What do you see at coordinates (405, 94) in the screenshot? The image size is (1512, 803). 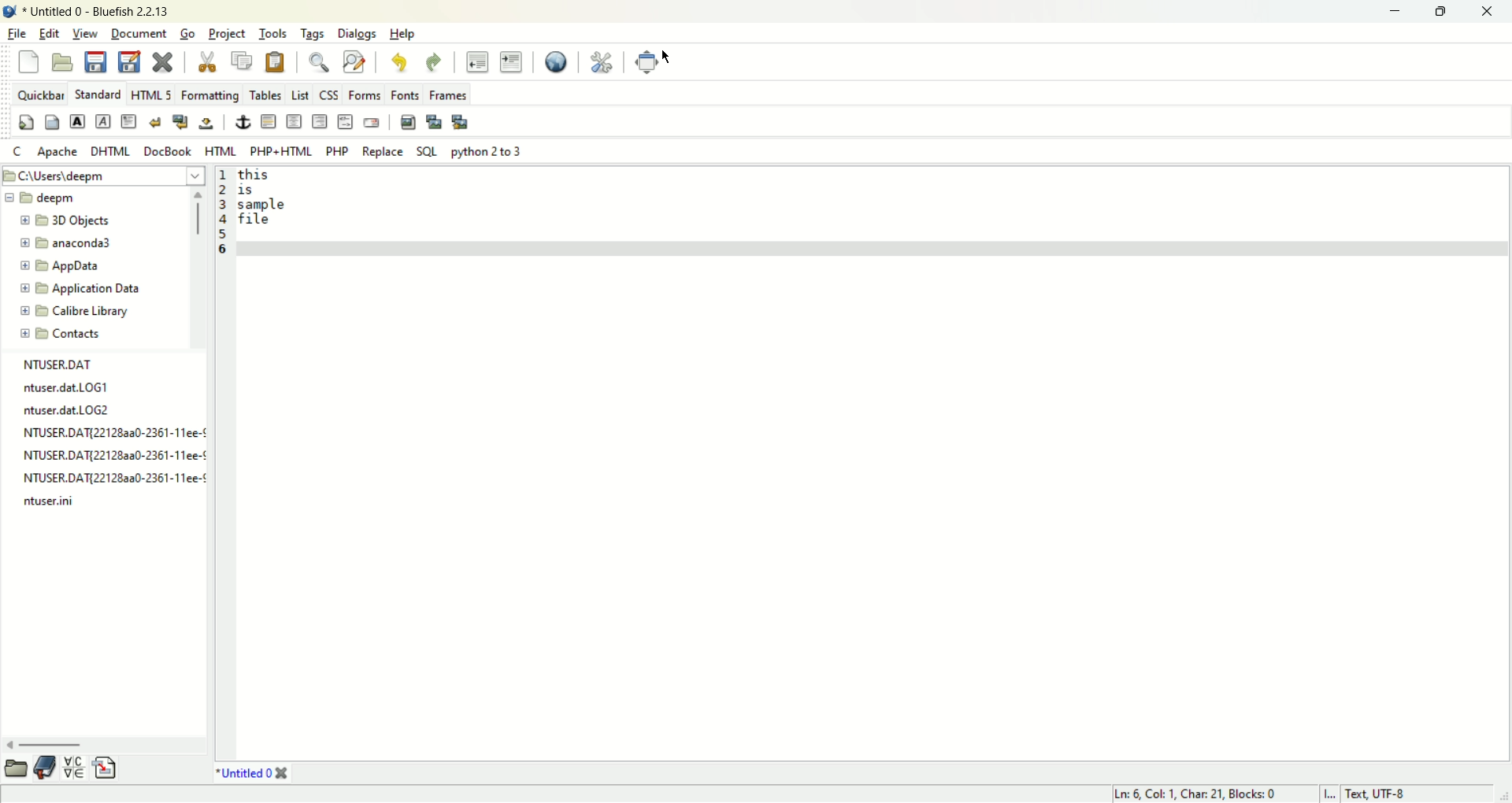 I see `fonts` at bounding box center [405, 94].